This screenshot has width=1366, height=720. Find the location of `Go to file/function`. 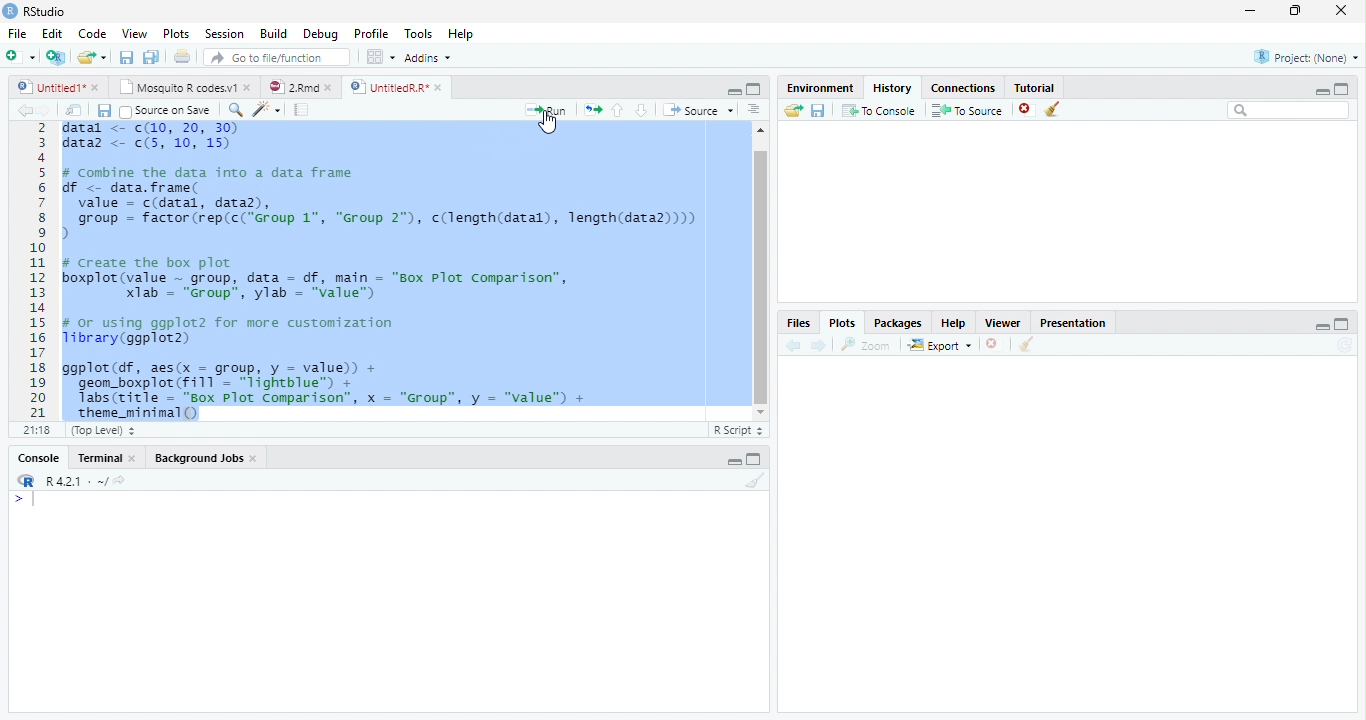

Go to file/function is located at coordinates (278, 57).